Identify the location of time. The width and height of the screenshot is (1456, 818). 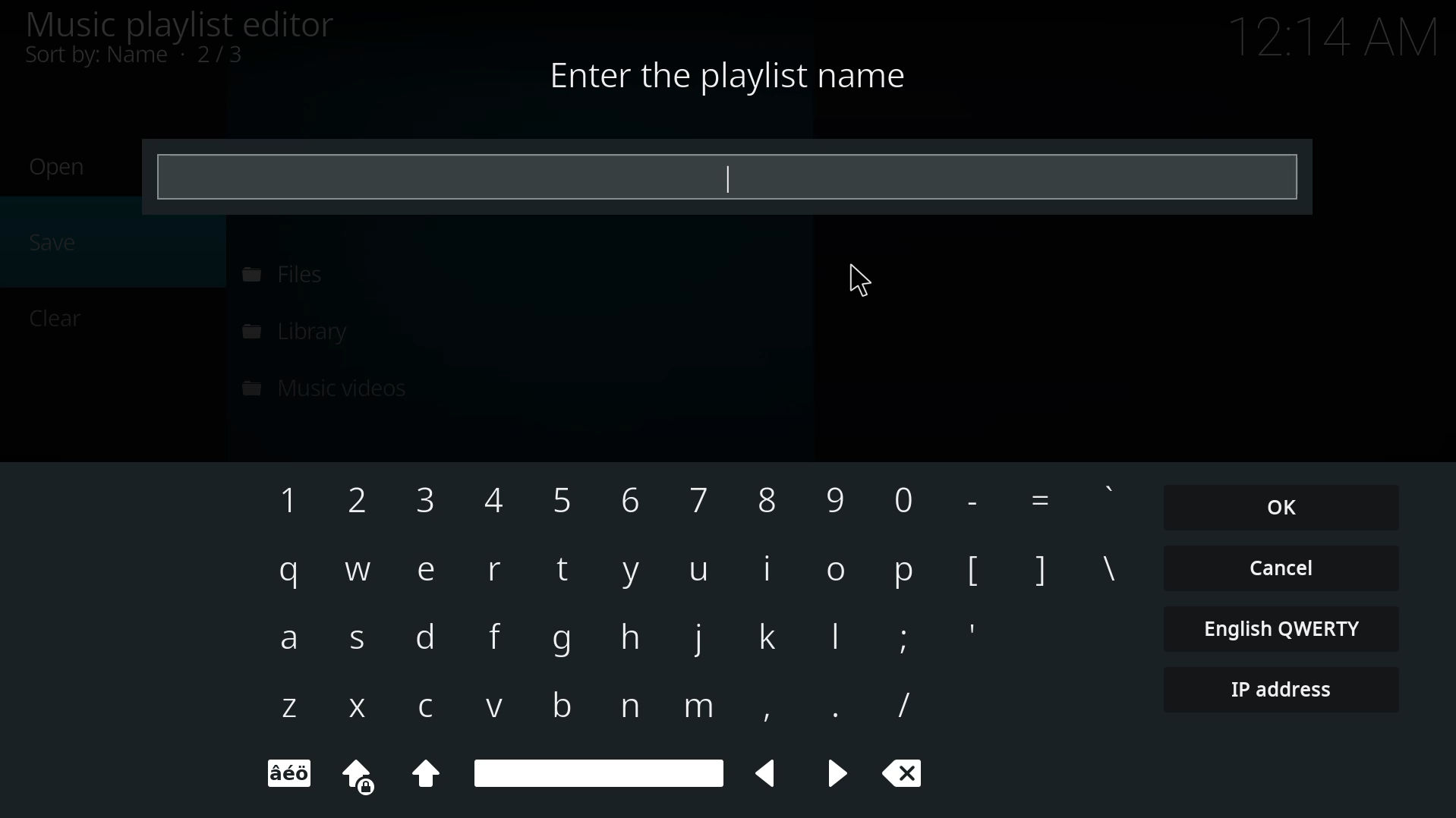
(1335, 34).